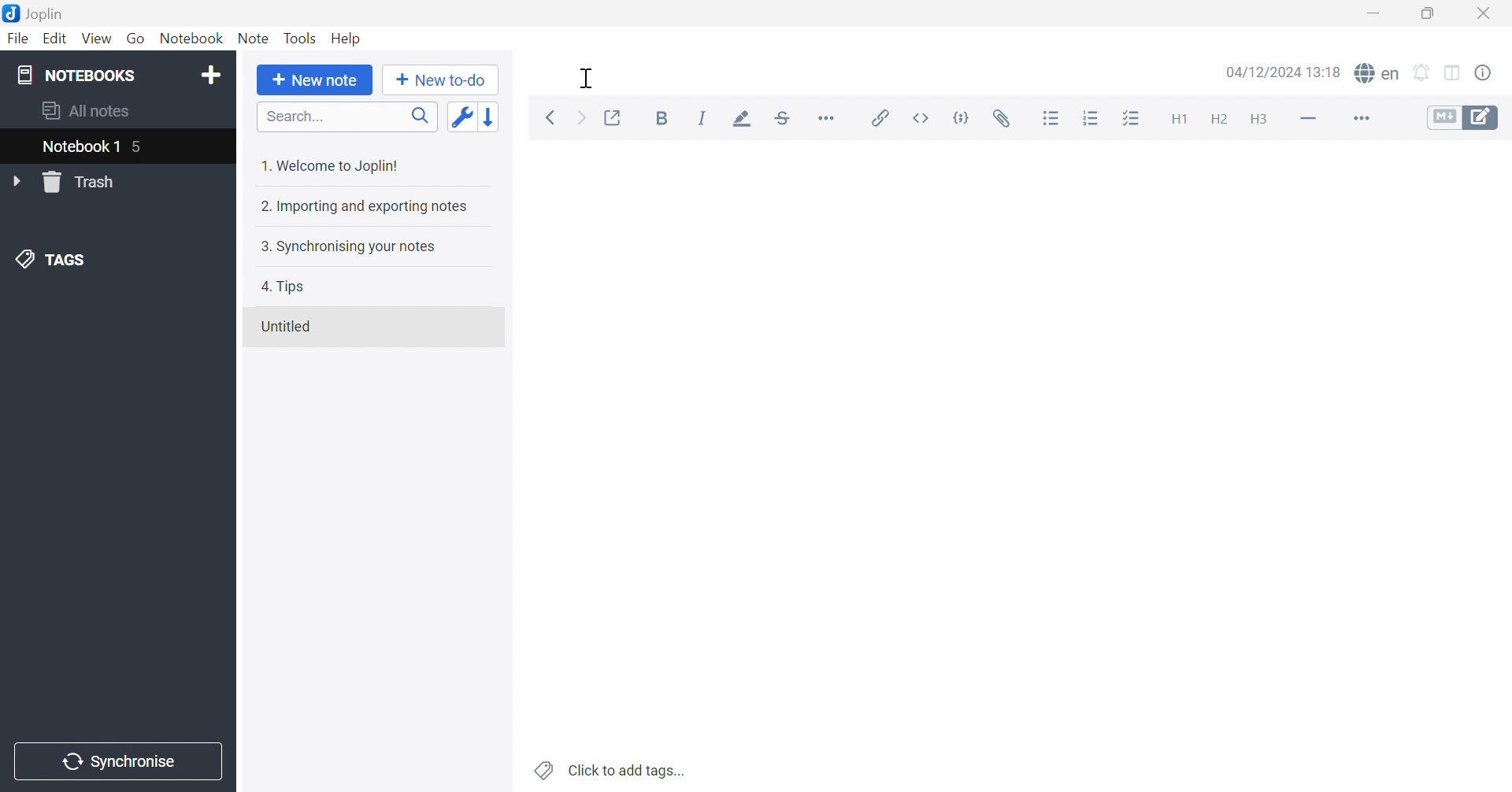 The height and width of the screenshot is (792, 1512). Describe the element at coordinates (1308, 118) in the screenshot. I see `Horizontal line` at that location.